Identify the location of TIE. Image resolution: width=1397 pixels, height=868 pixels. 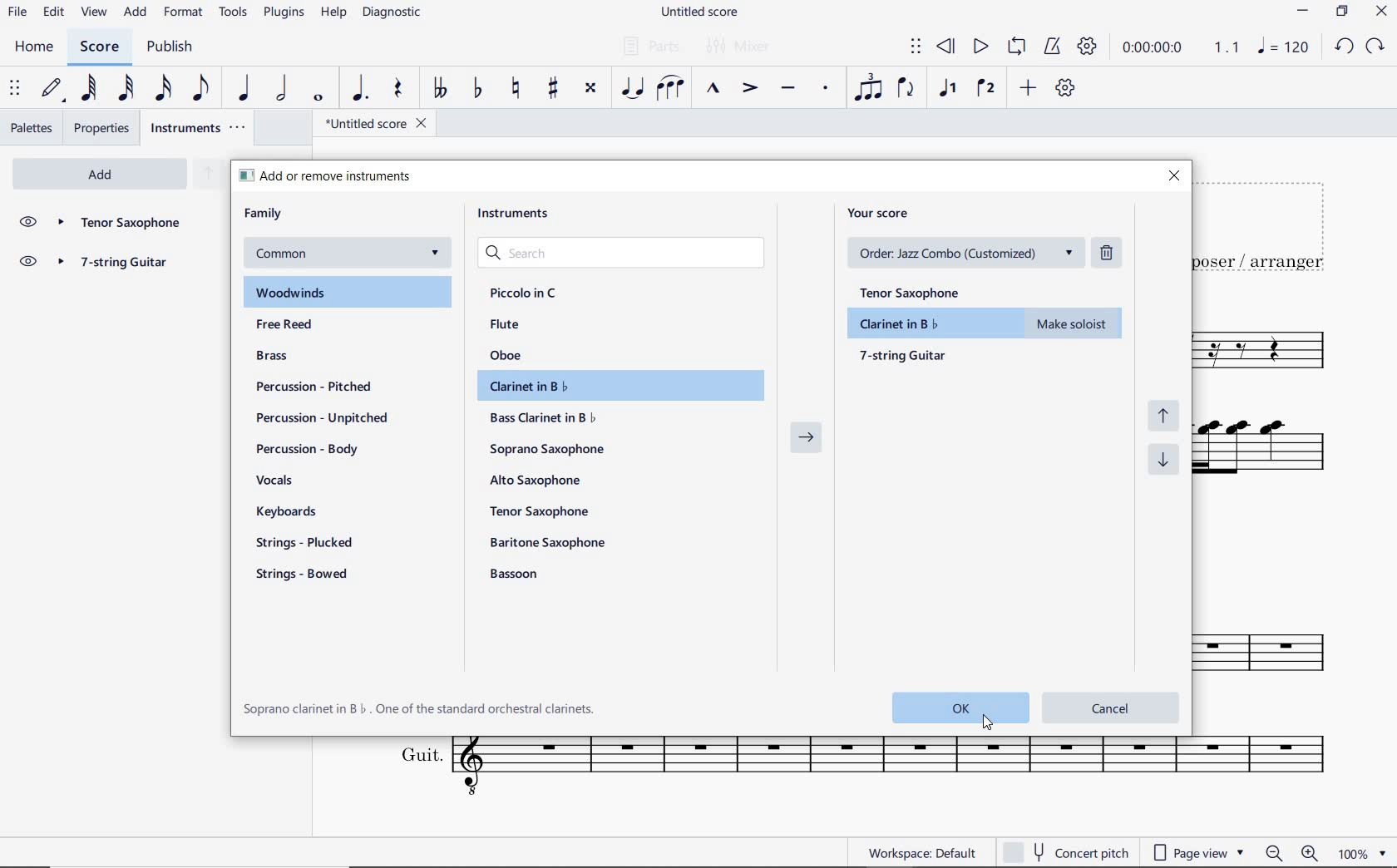
(632, 86).